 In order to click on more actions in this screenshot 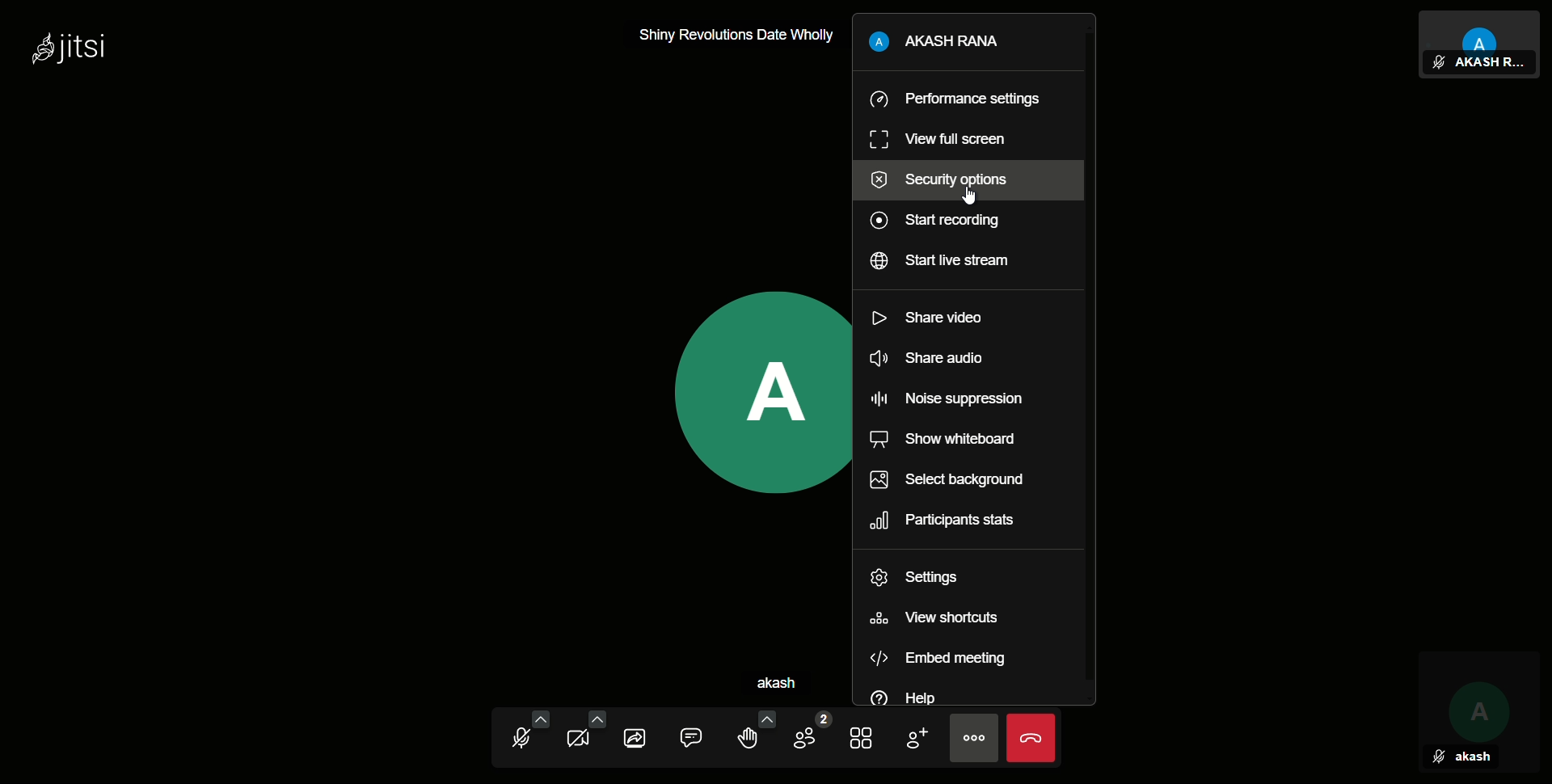, I will do `click(973, 737)`.